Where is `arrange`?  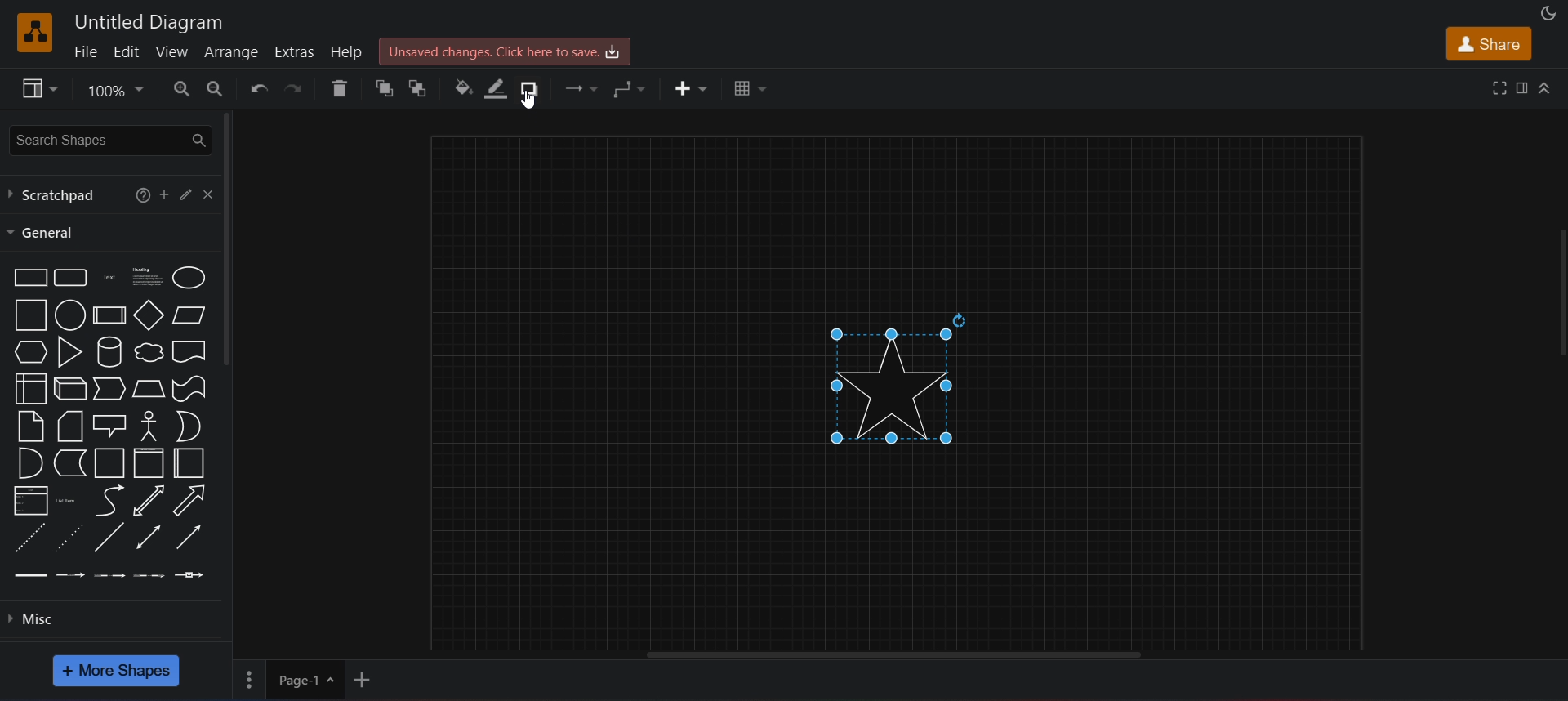 arrange is located at coordinates (234, 51).